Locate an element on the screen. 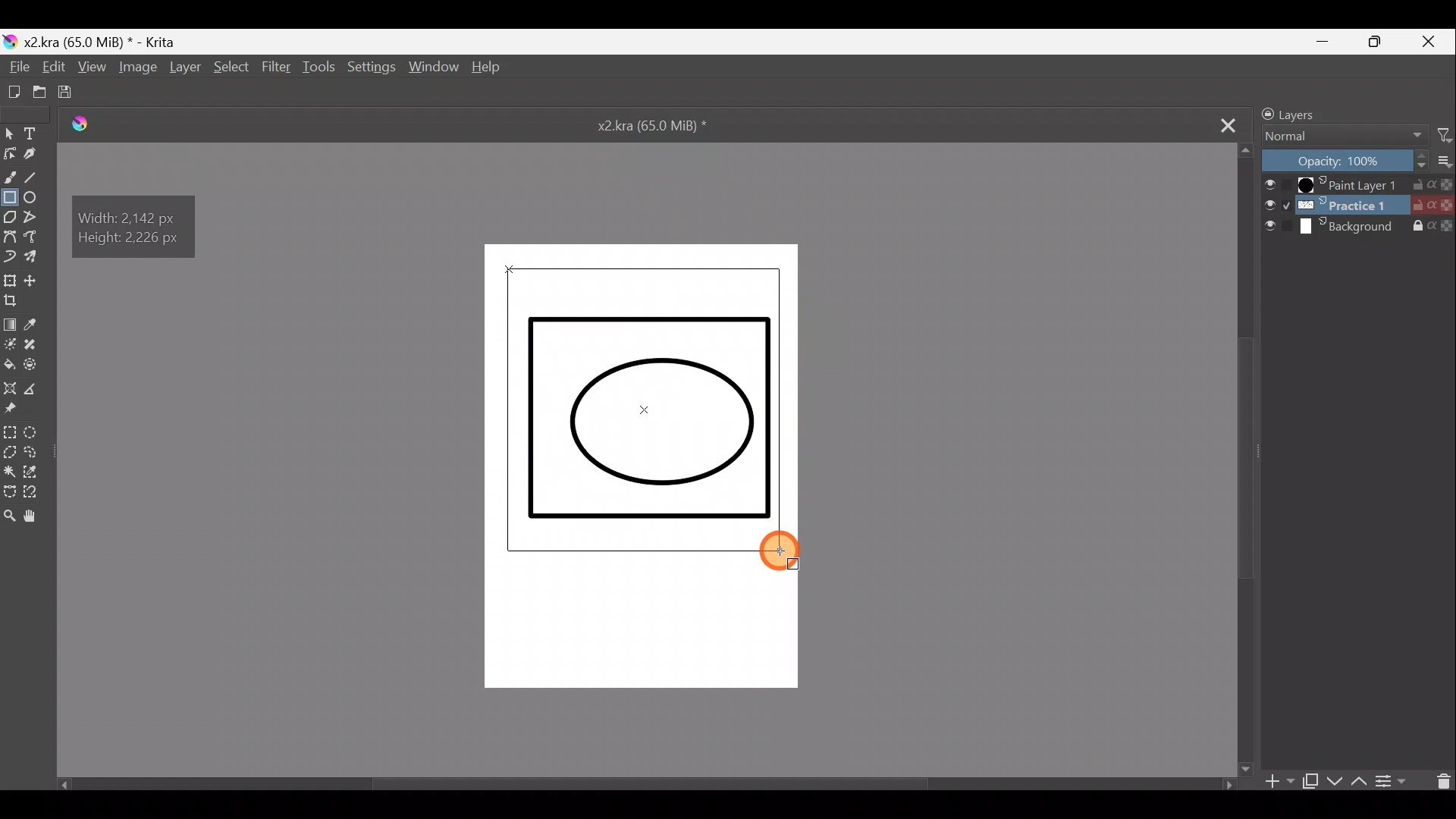  Maximize is located at coordinates (1382, 42).